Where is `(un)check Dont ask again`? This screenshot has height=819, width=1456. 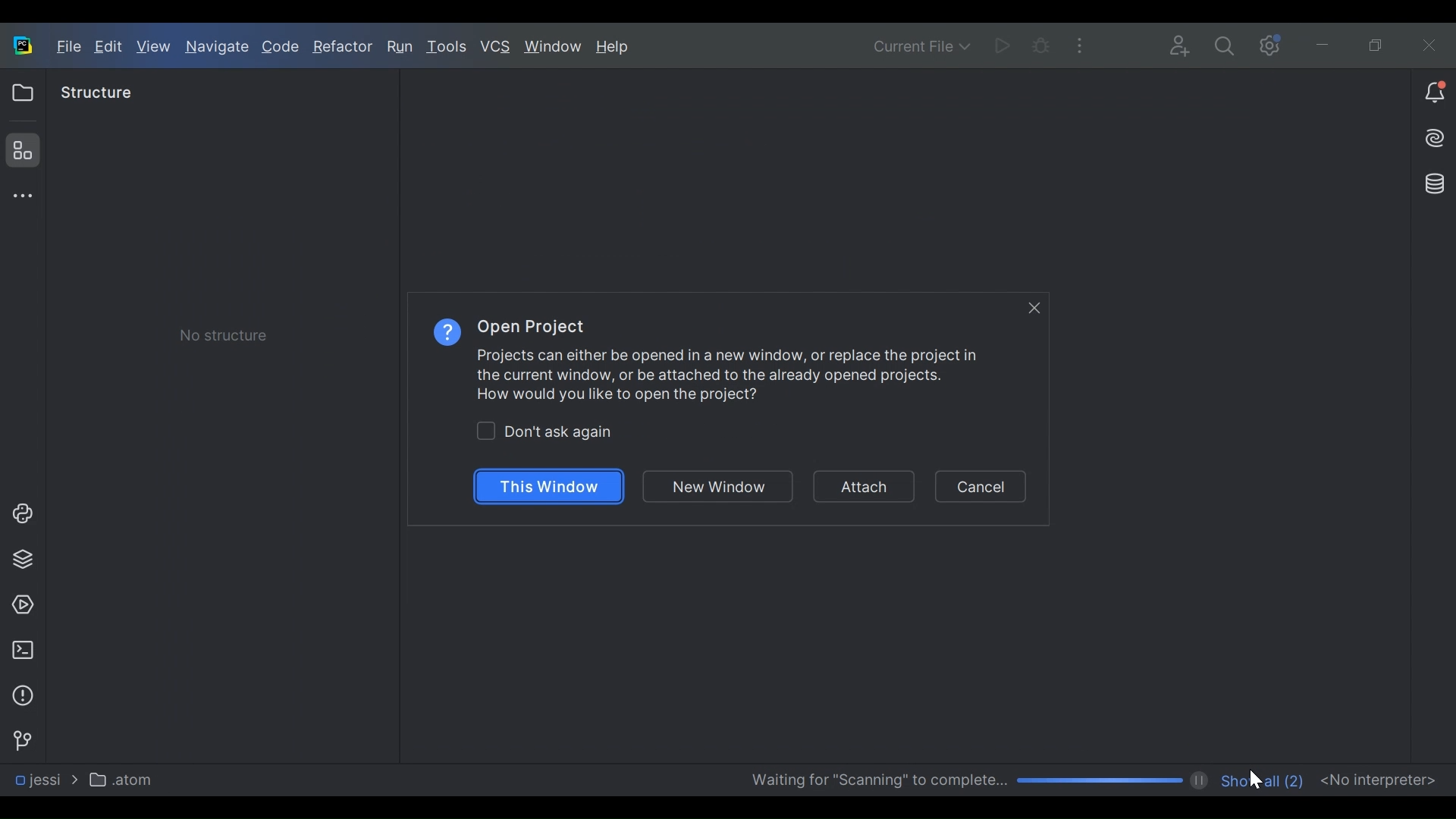 (un)check Dont ask again is located at coordinates (544, 434).